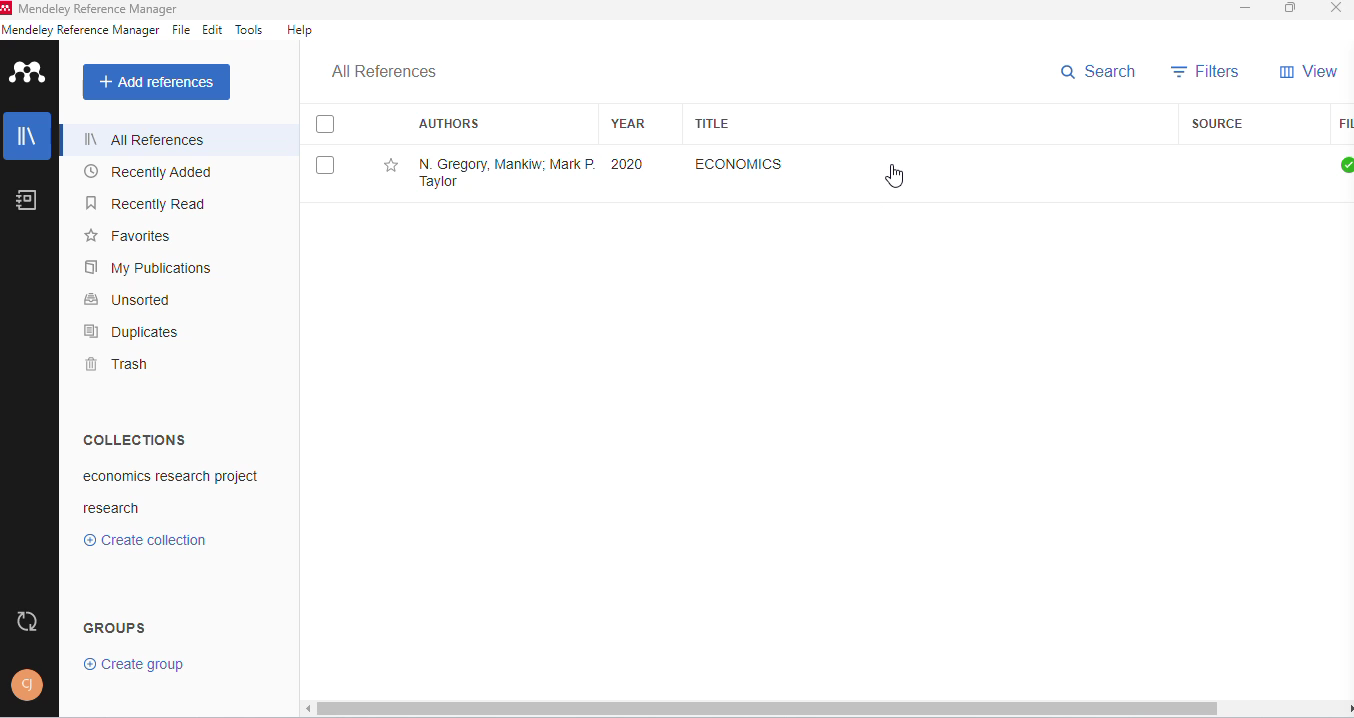 Image resolution: width=1354 pixels, height=718 pixels. I want to click on library, so click(28, 136).